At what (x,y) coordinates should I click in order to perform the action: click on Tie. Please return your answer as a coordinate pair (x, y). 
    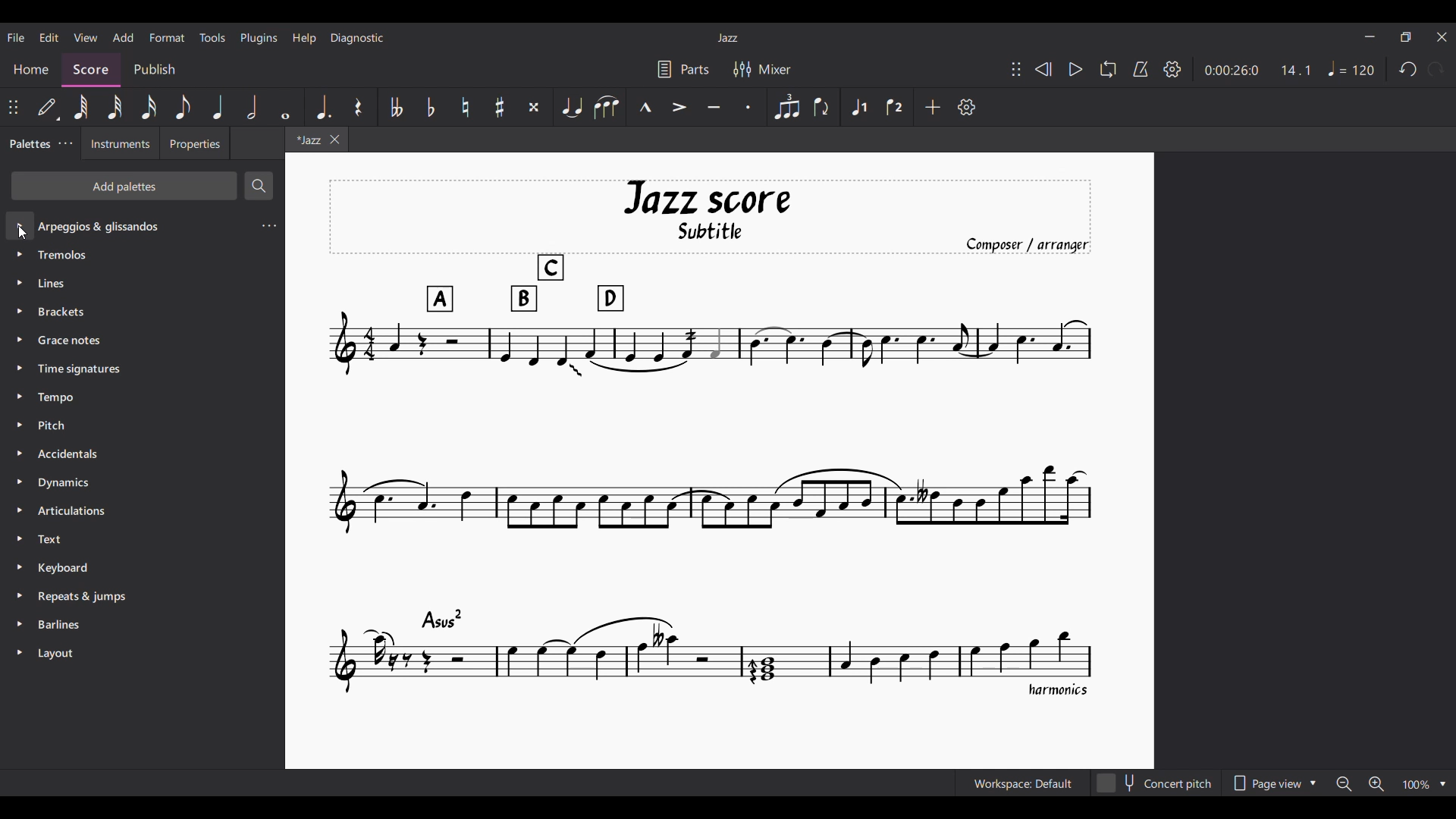
    Looking at the image, I should click on (571, 107).